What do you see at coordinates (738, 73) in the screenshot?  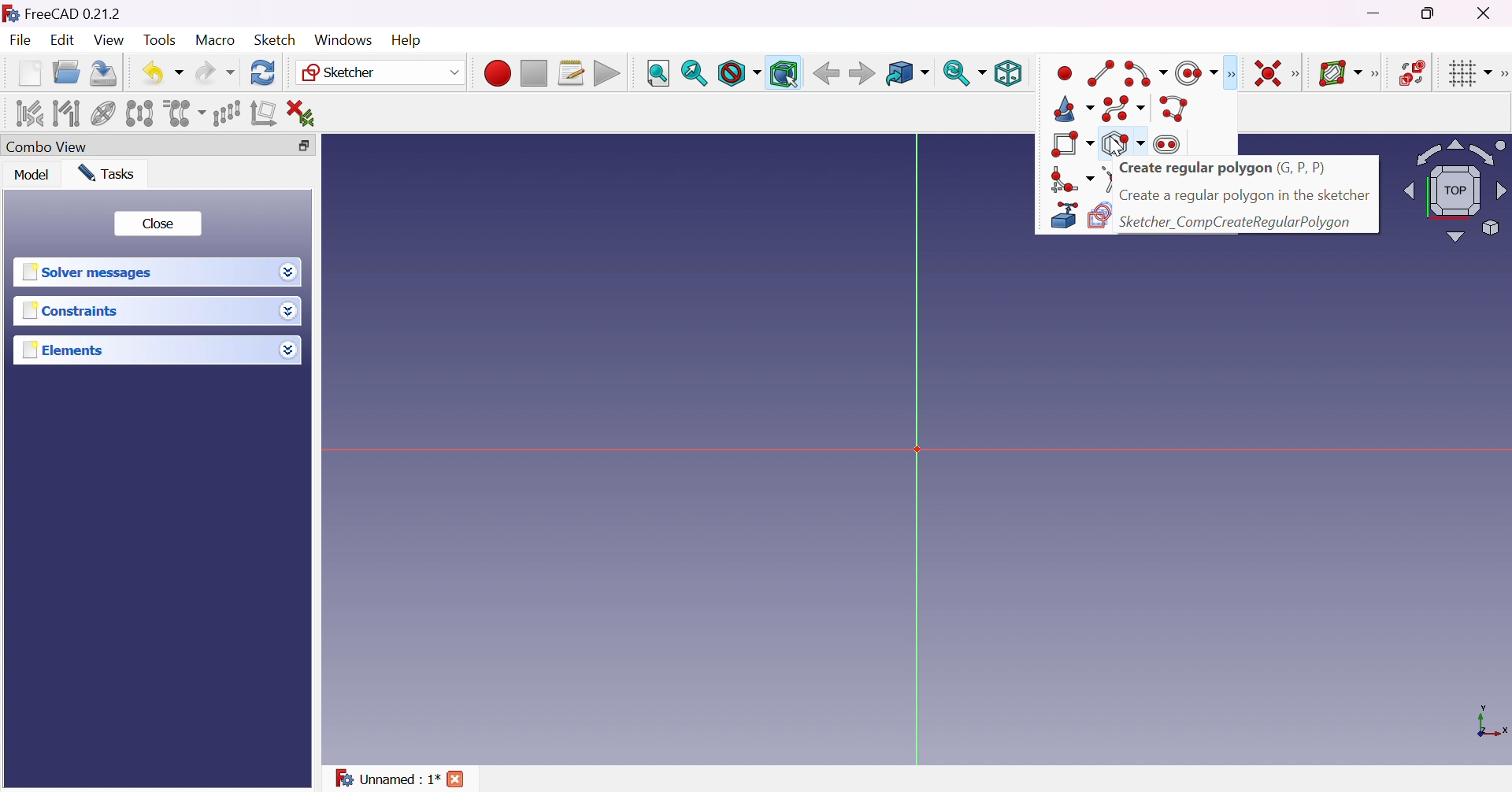 I see `Draw style` at bounding box center [738, 73].